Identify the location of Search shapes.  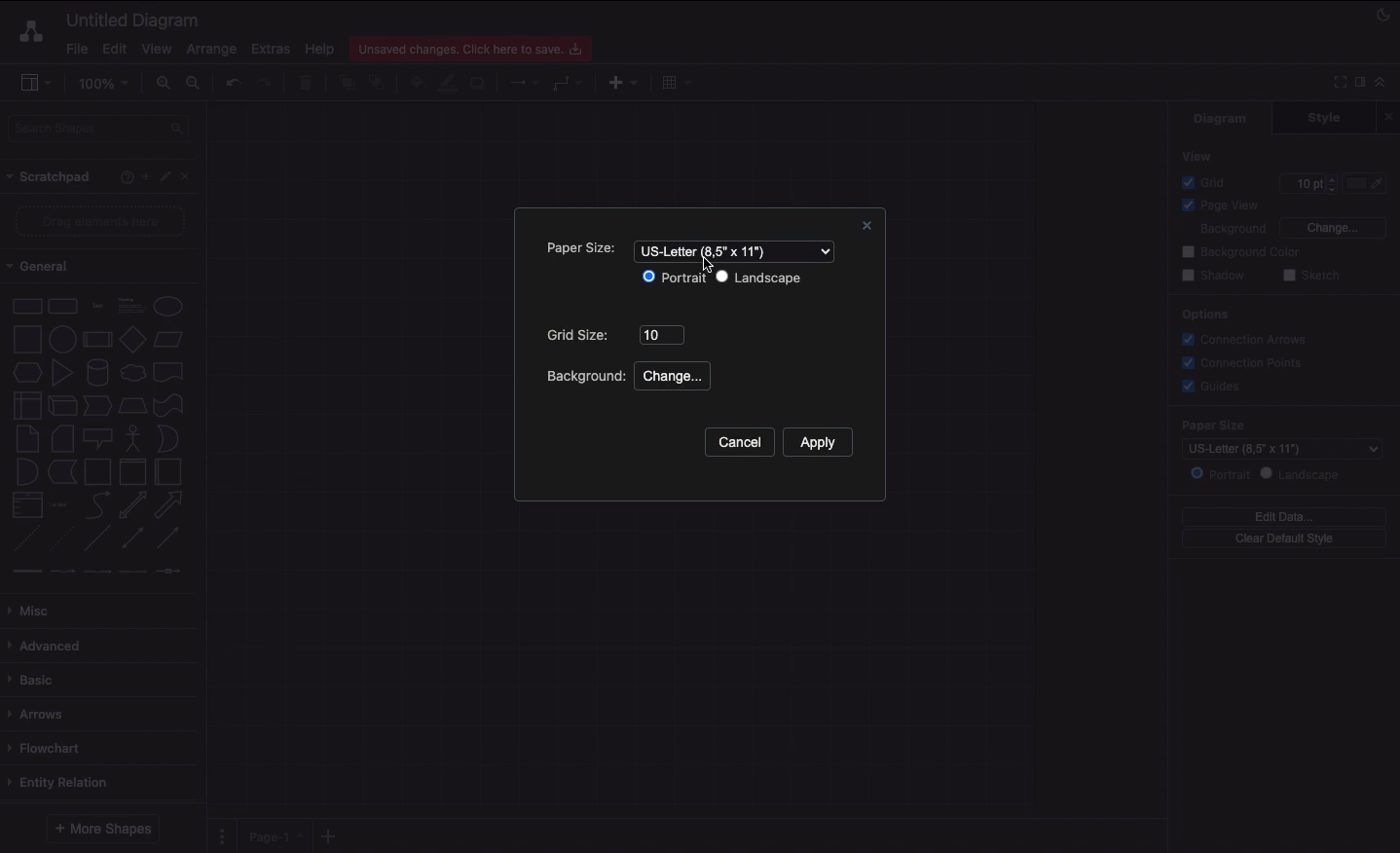
(100, 131).